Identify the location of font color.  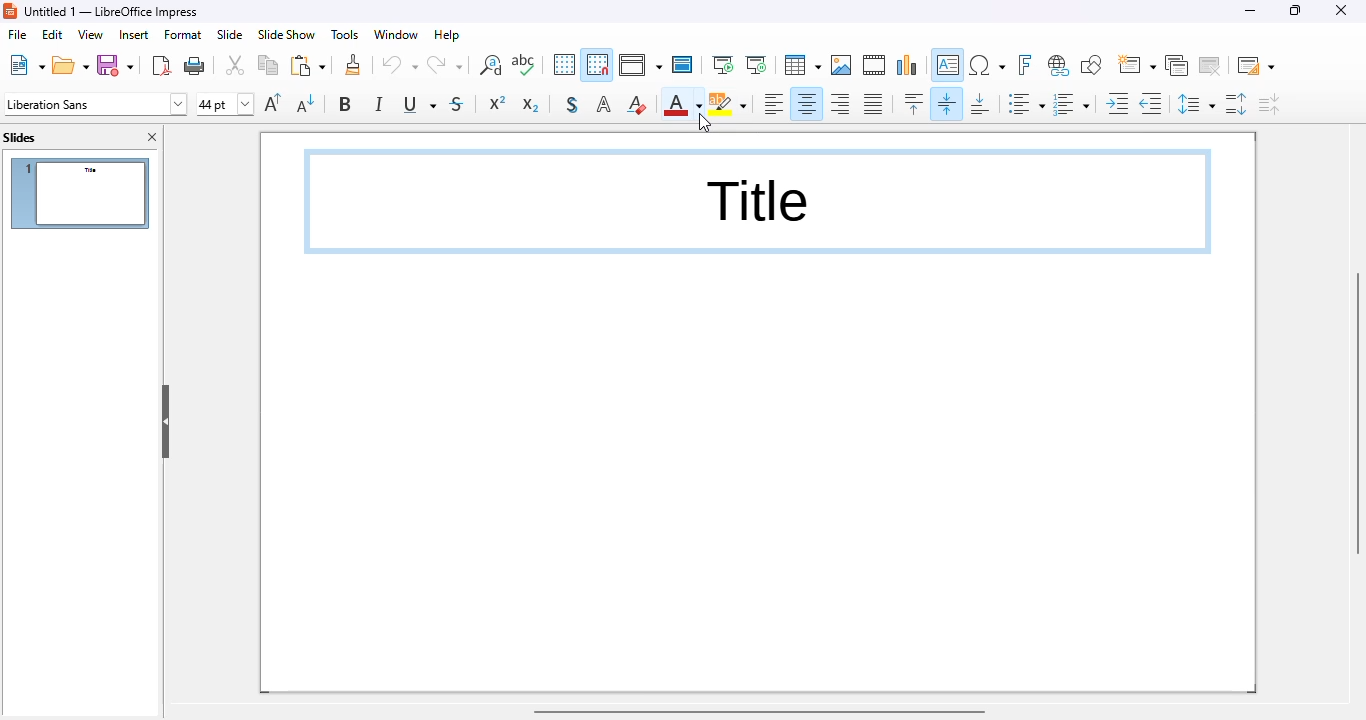
(683, 103).